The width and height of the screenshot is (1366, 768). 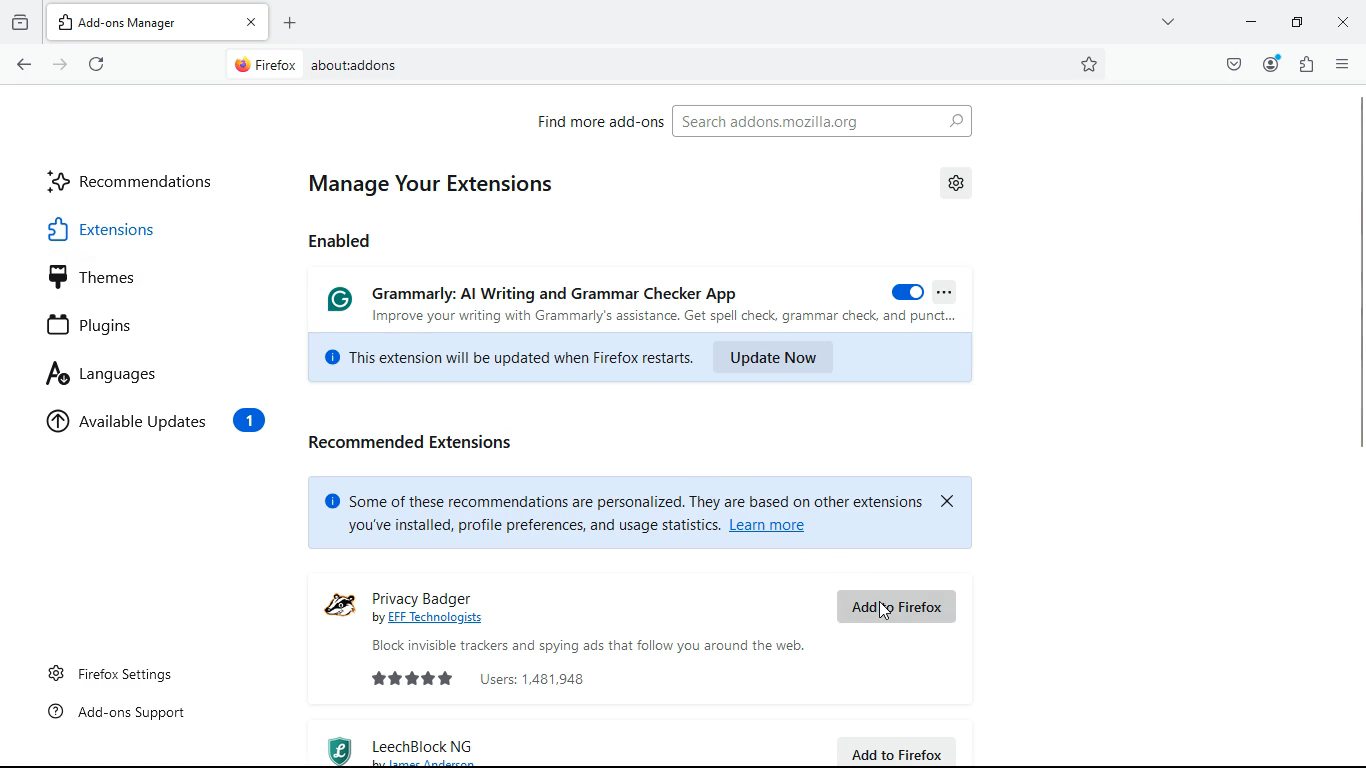 I want to click on about:addons, so click(x=627, y=65).